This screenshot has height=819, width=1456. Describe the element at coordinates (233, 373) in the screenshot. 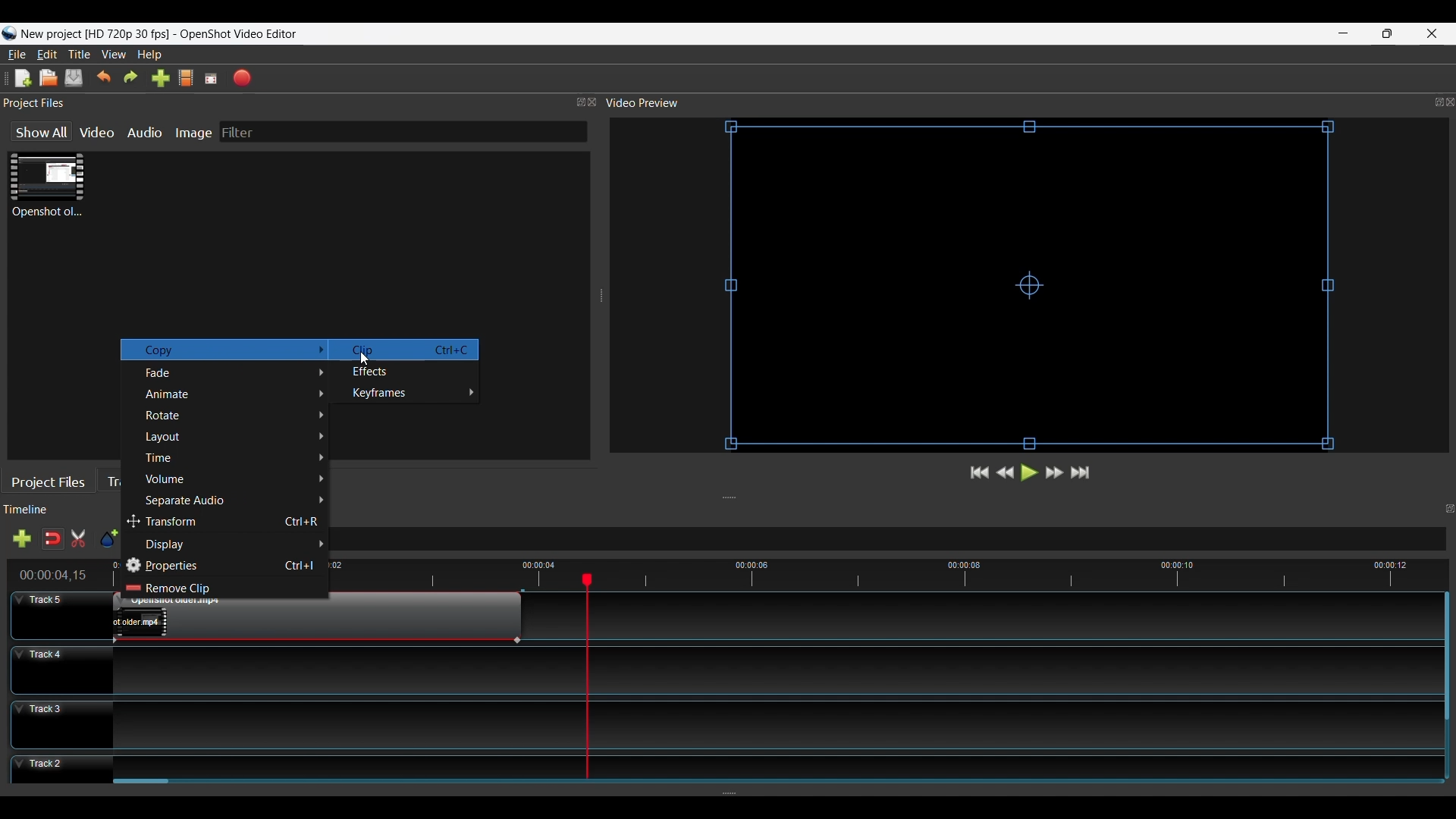

I see `Fade` at that location.